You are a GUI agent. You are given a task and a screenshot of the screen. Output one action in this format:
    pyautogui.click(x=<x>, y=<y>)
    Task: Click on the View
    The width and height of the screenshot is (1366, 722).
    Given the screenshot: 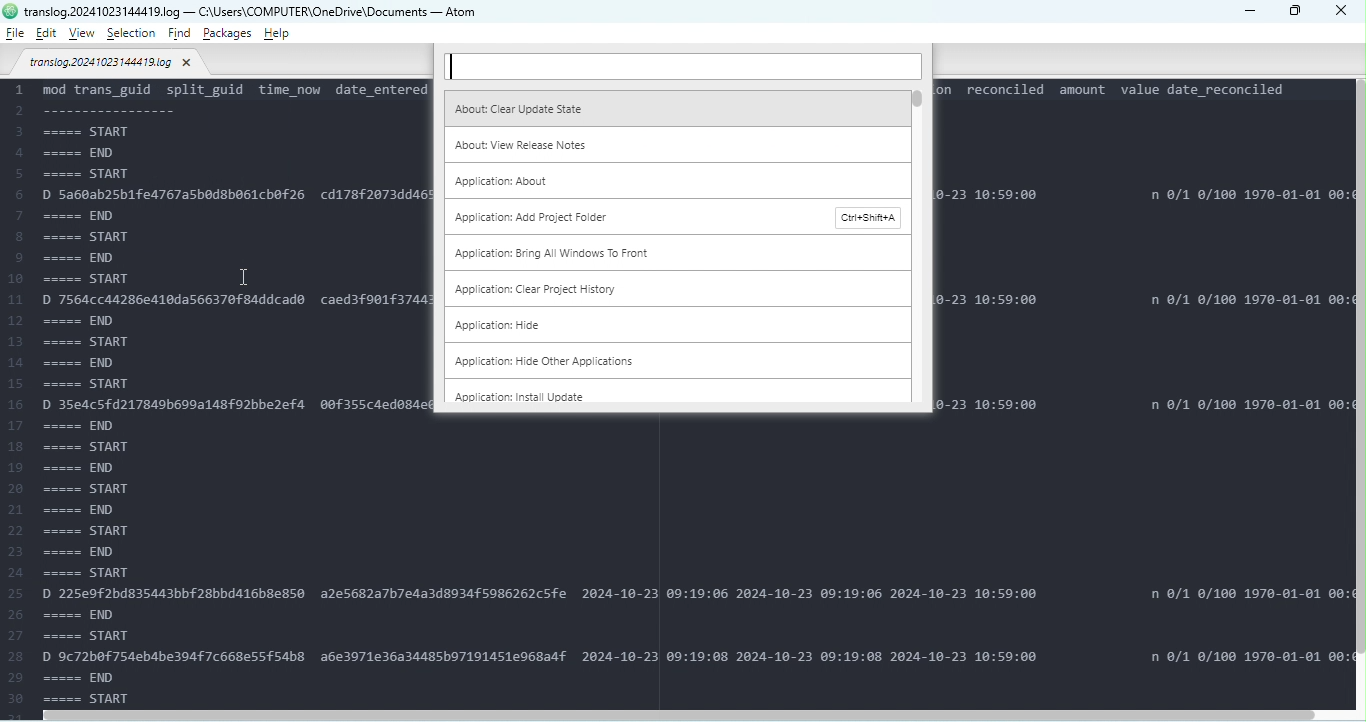 What is the action you would take?
    pyautogui.click(x=85, y=33)
    